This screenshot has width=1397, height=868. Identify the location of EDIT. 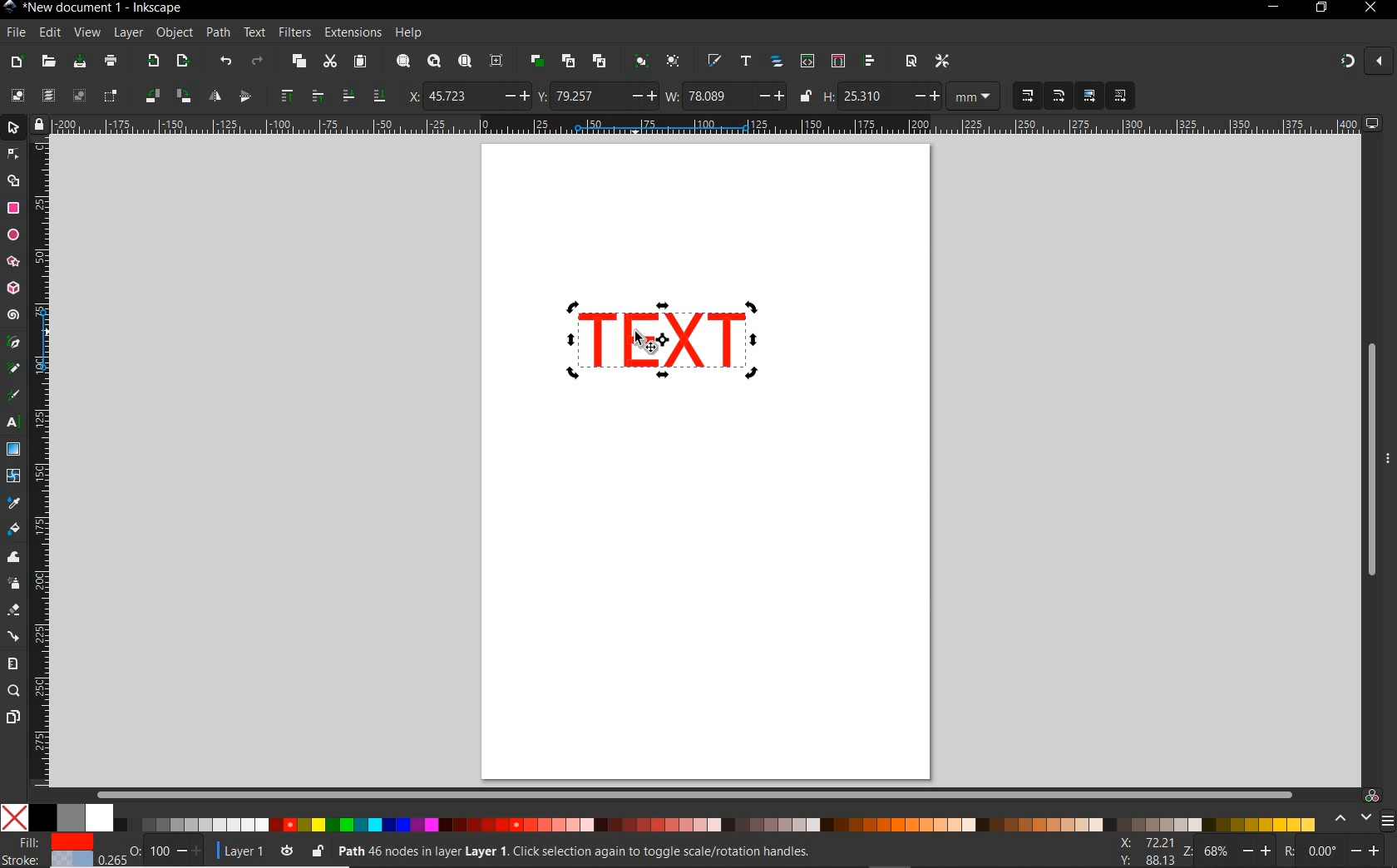
(47, 33).